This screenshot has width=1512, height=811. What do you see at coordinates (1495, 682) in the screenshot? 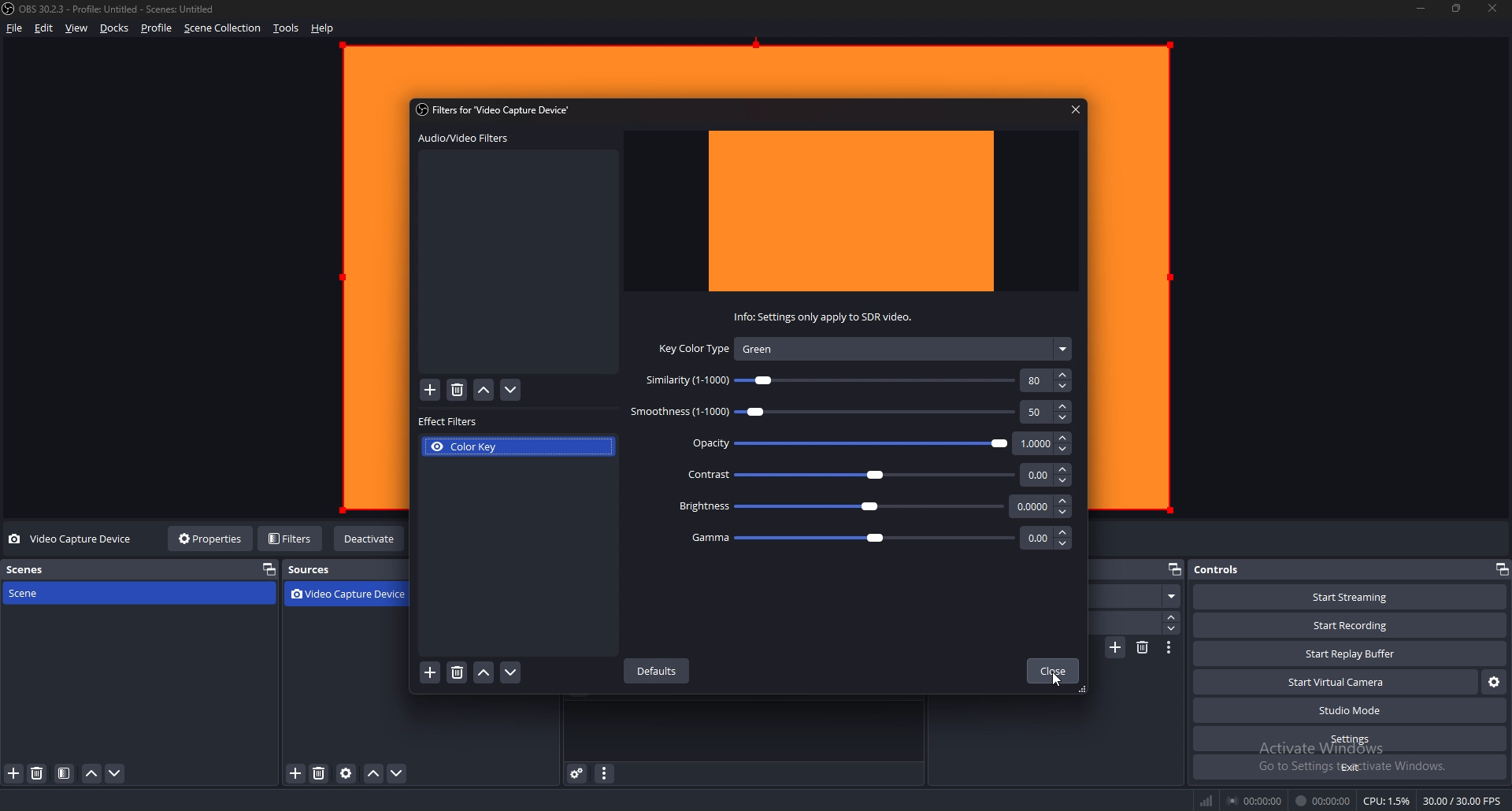
I see `virtual camera properties` at bounding box center [1495, 682].